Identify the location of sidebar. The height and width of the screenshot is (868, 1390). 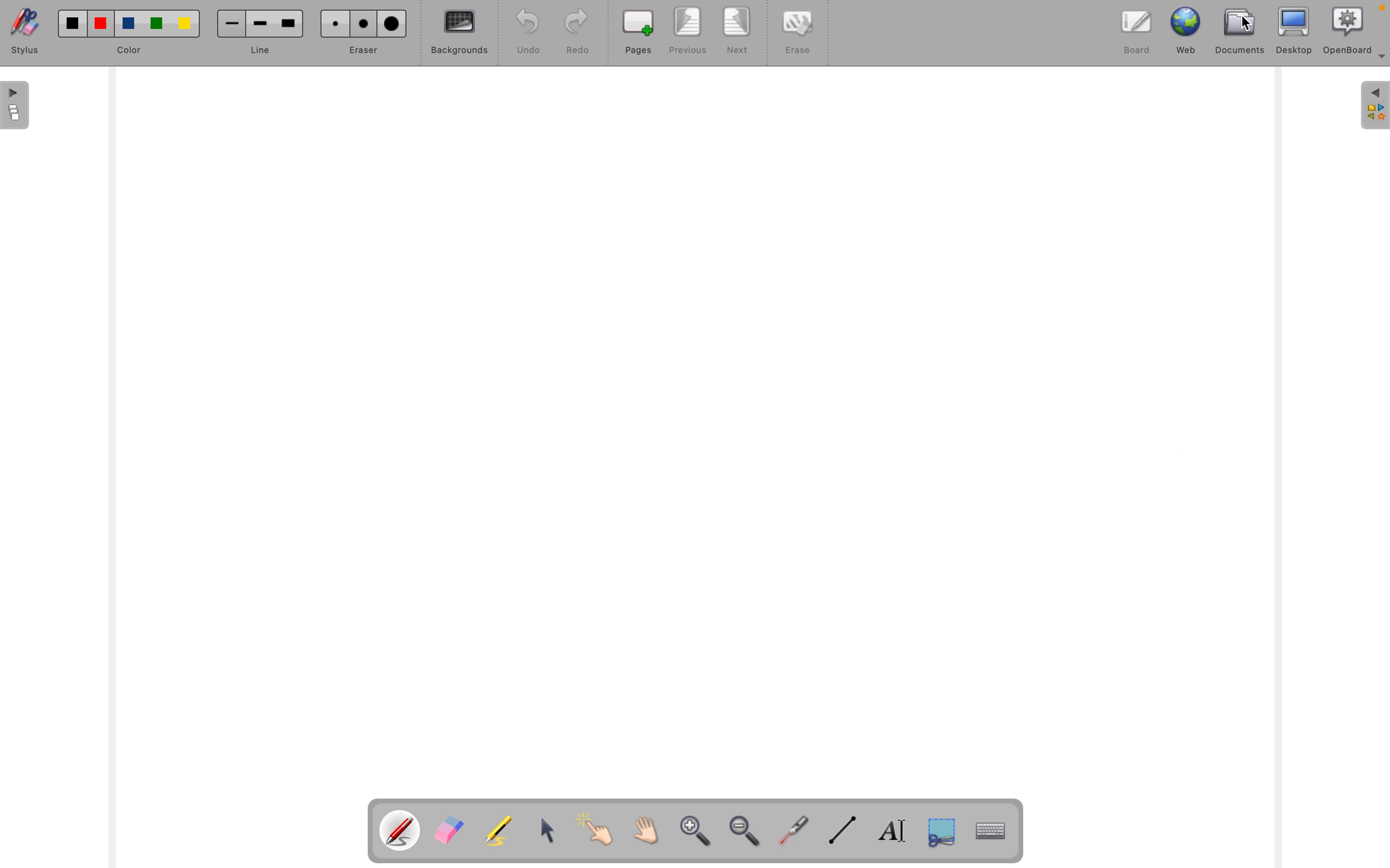
(1373, 106).